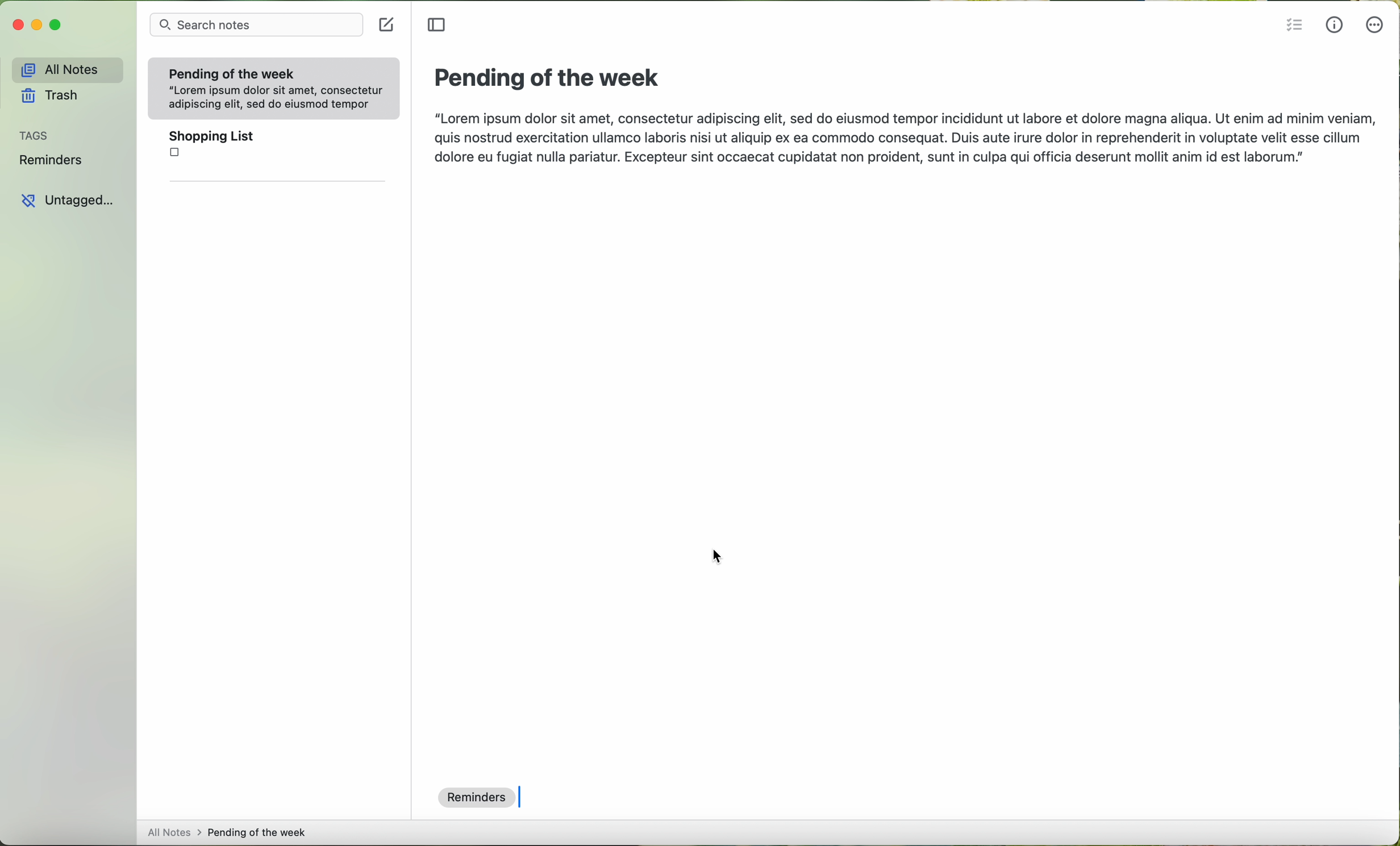 This screenshot has height=846, width=1400. I want to click on reminders tag, so click(475, 798).